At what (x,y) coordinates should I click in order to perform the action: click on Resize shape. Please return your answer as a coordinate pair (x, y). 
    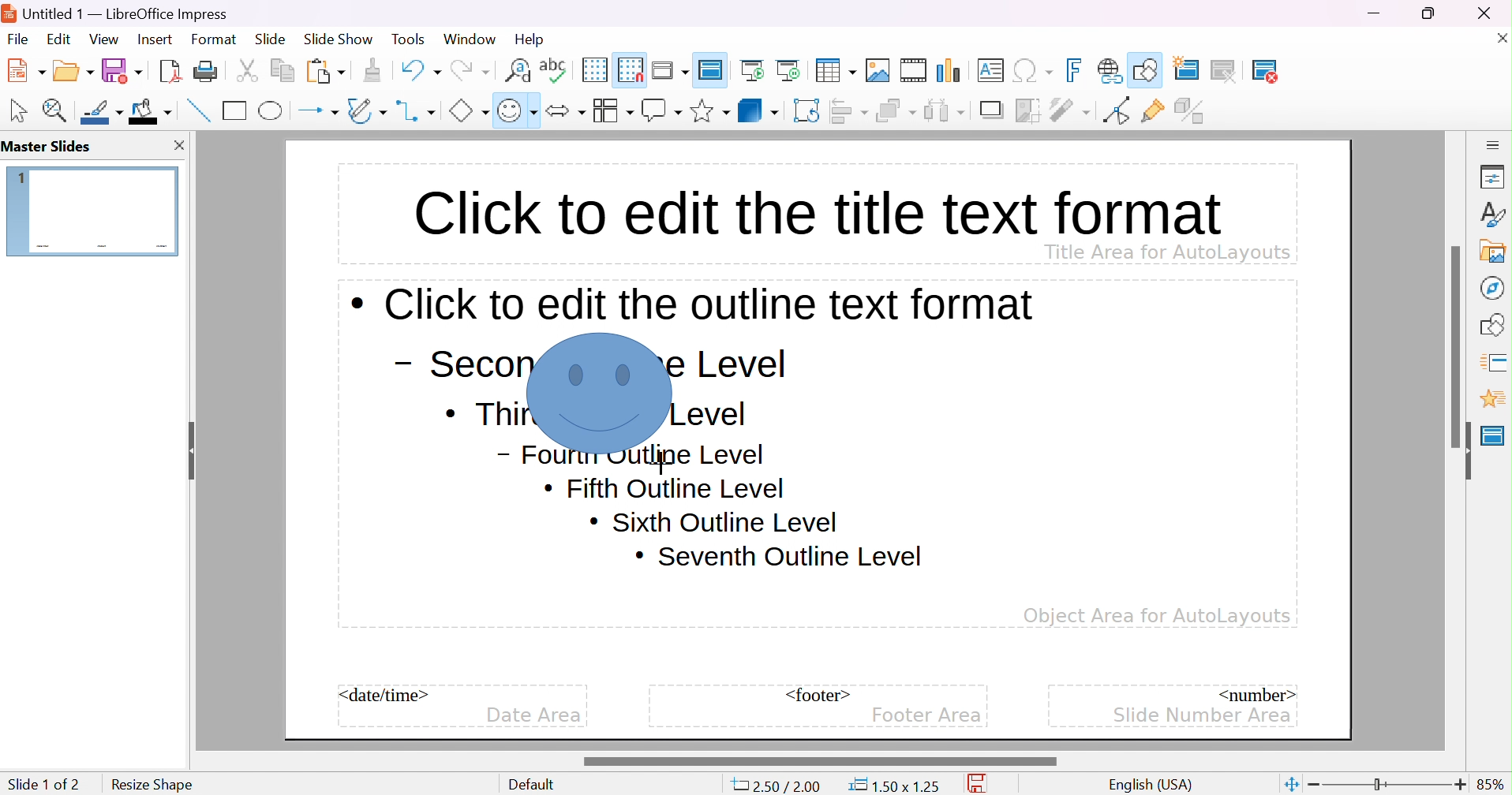
    Looking at the image, I should click on (151, 783).